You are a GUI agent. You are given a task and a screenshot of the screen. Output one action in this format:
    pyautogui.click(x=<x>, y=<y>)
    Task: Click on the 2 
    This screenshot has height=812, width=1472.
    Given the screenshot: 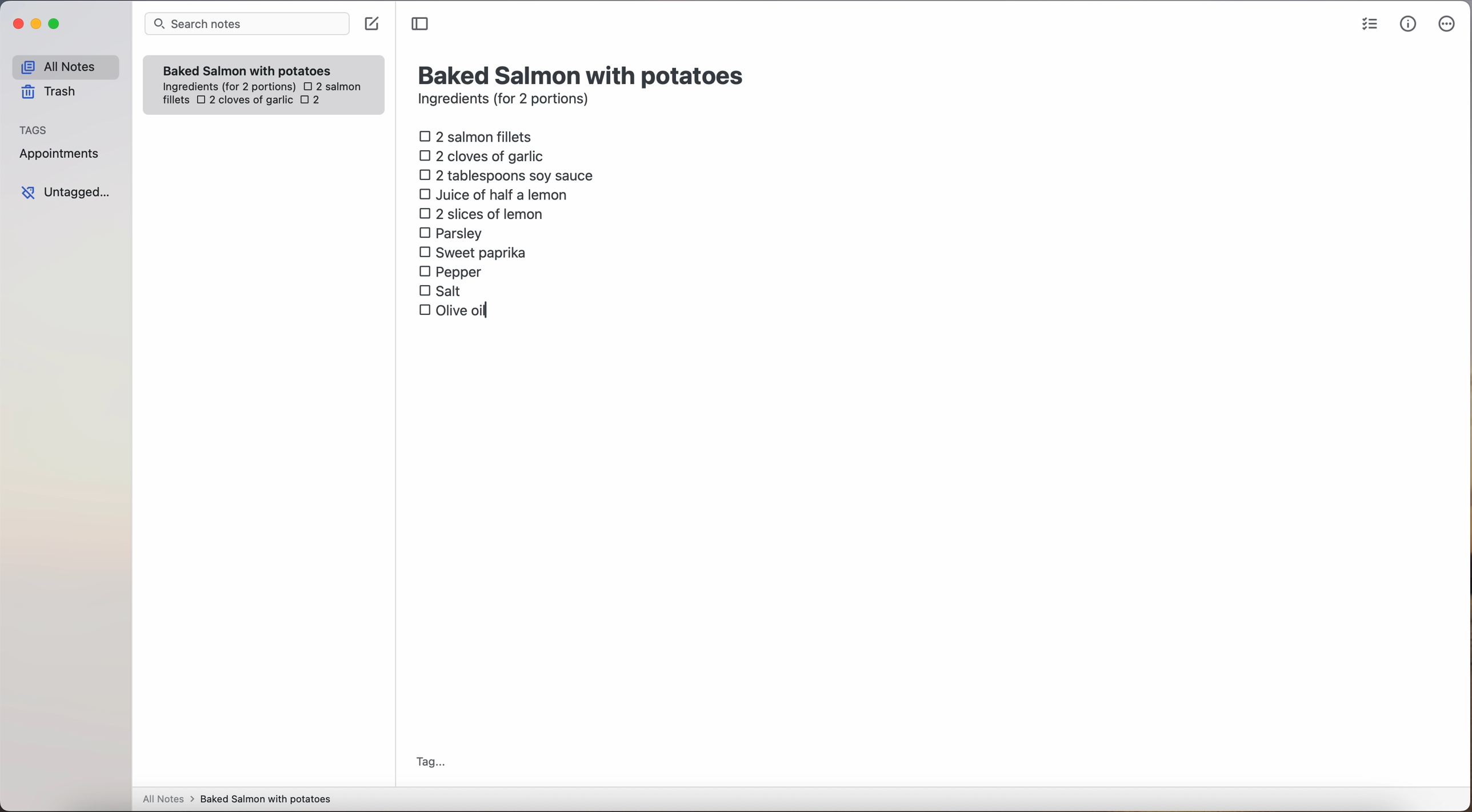 What is the action you would take?
    pyautogui.click(x=314, y=101)
    